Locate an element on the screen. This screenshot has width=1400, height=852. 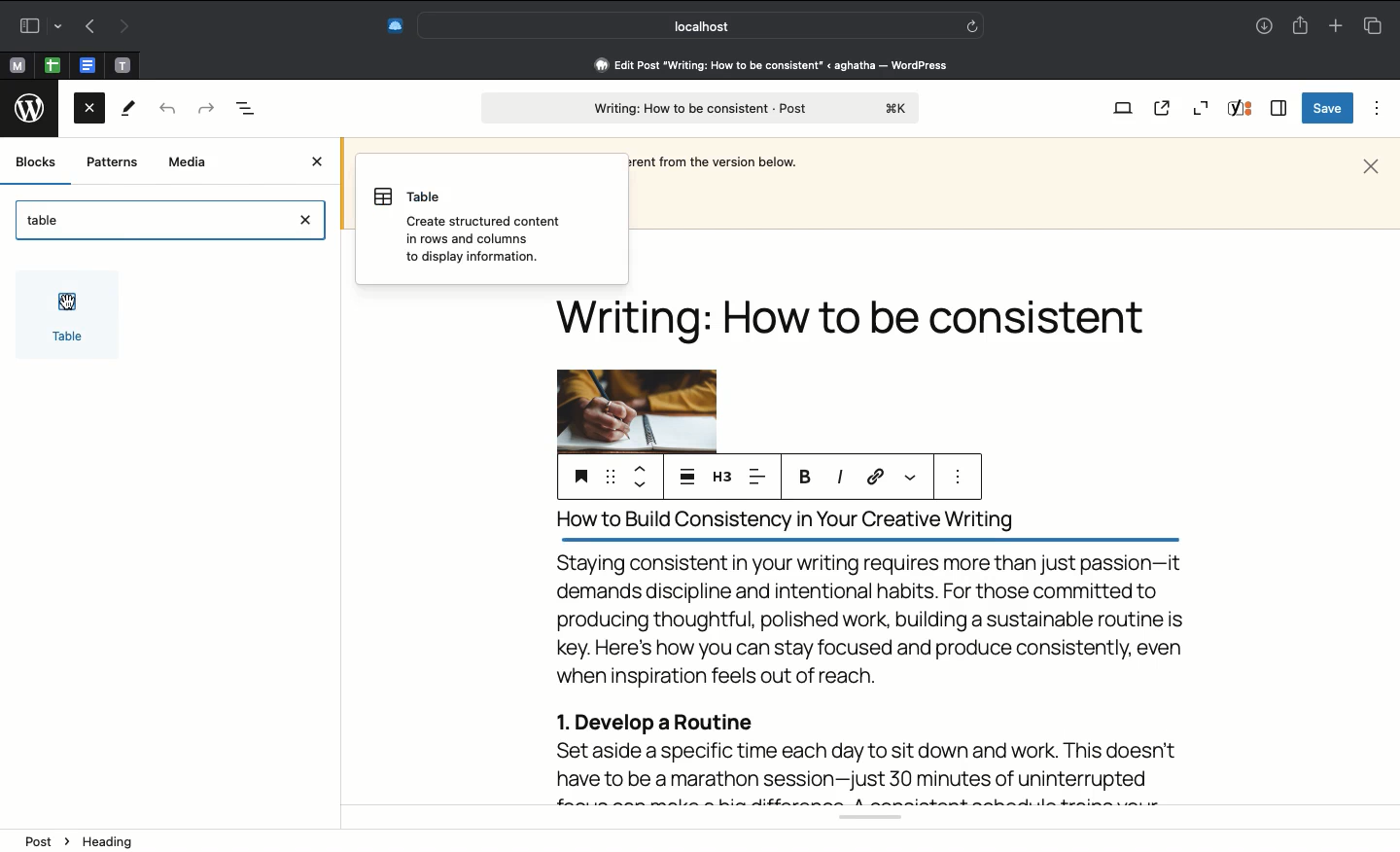
Extensions is located at coordinates (384, 27).